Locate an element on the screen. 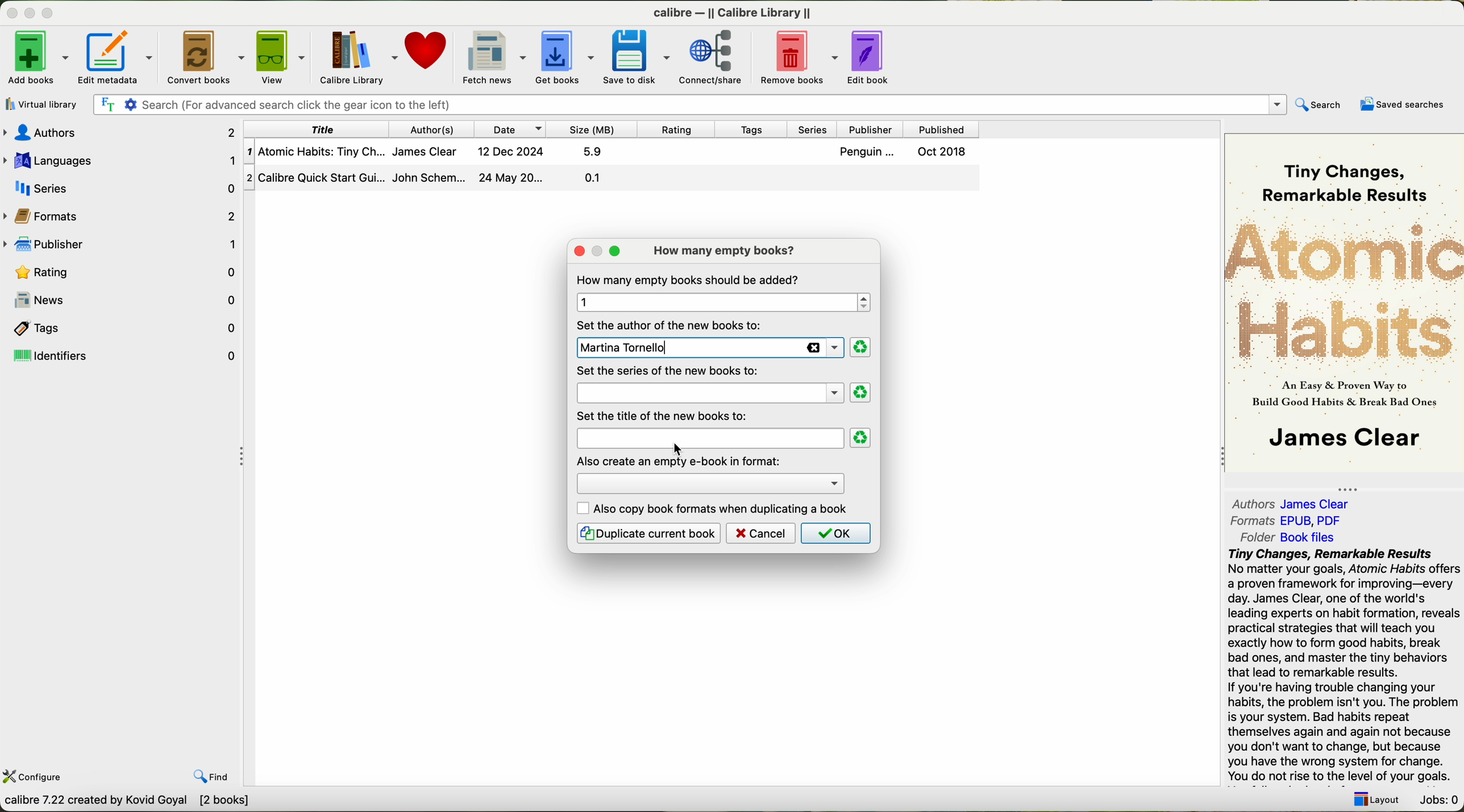 The width and height of the screenshot is (1464, 812). title is located at coordinates (319, 128).